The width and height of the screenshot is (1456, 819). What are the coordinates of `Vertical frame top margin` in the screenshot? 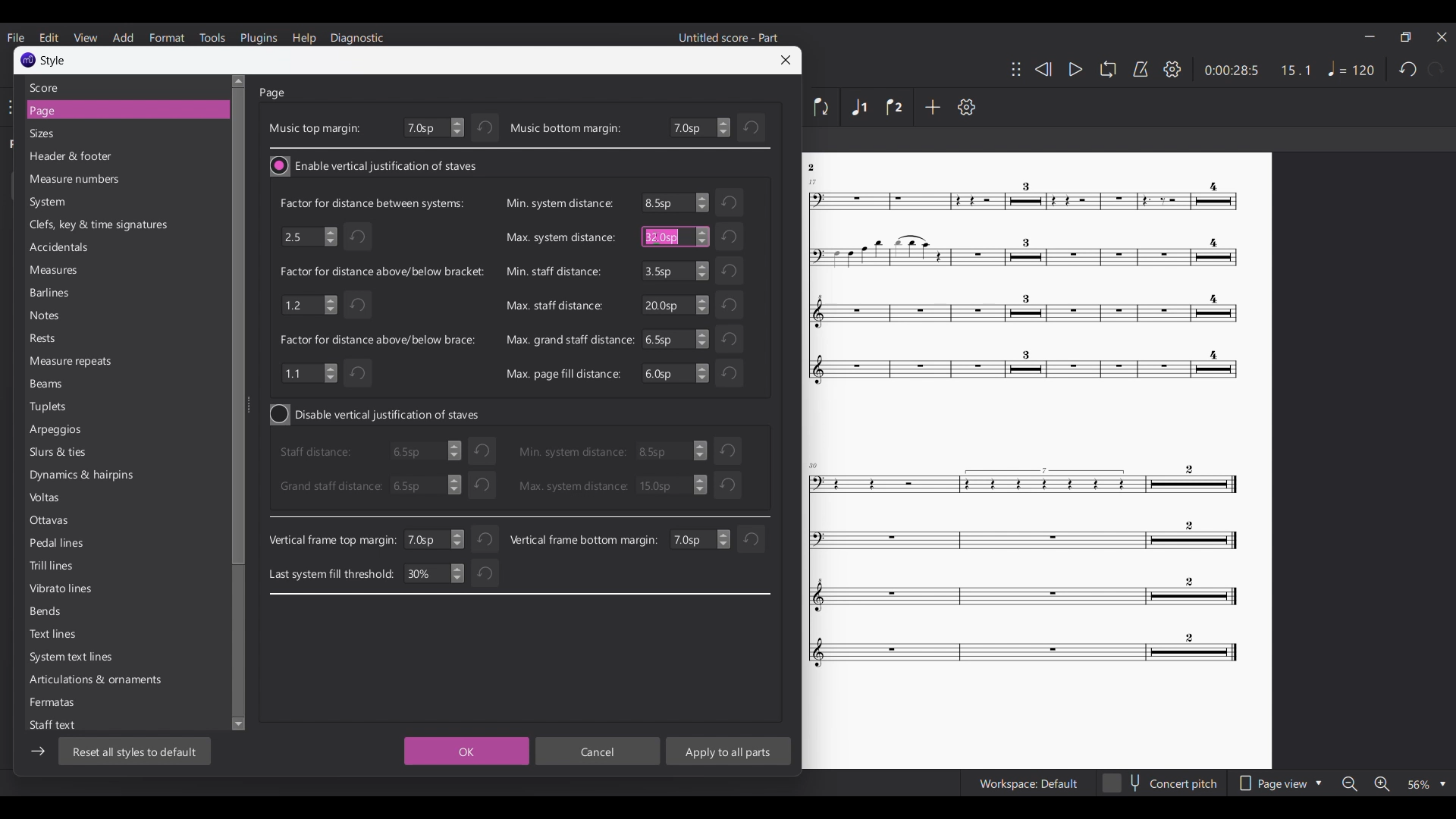 It's located at (332, 541).